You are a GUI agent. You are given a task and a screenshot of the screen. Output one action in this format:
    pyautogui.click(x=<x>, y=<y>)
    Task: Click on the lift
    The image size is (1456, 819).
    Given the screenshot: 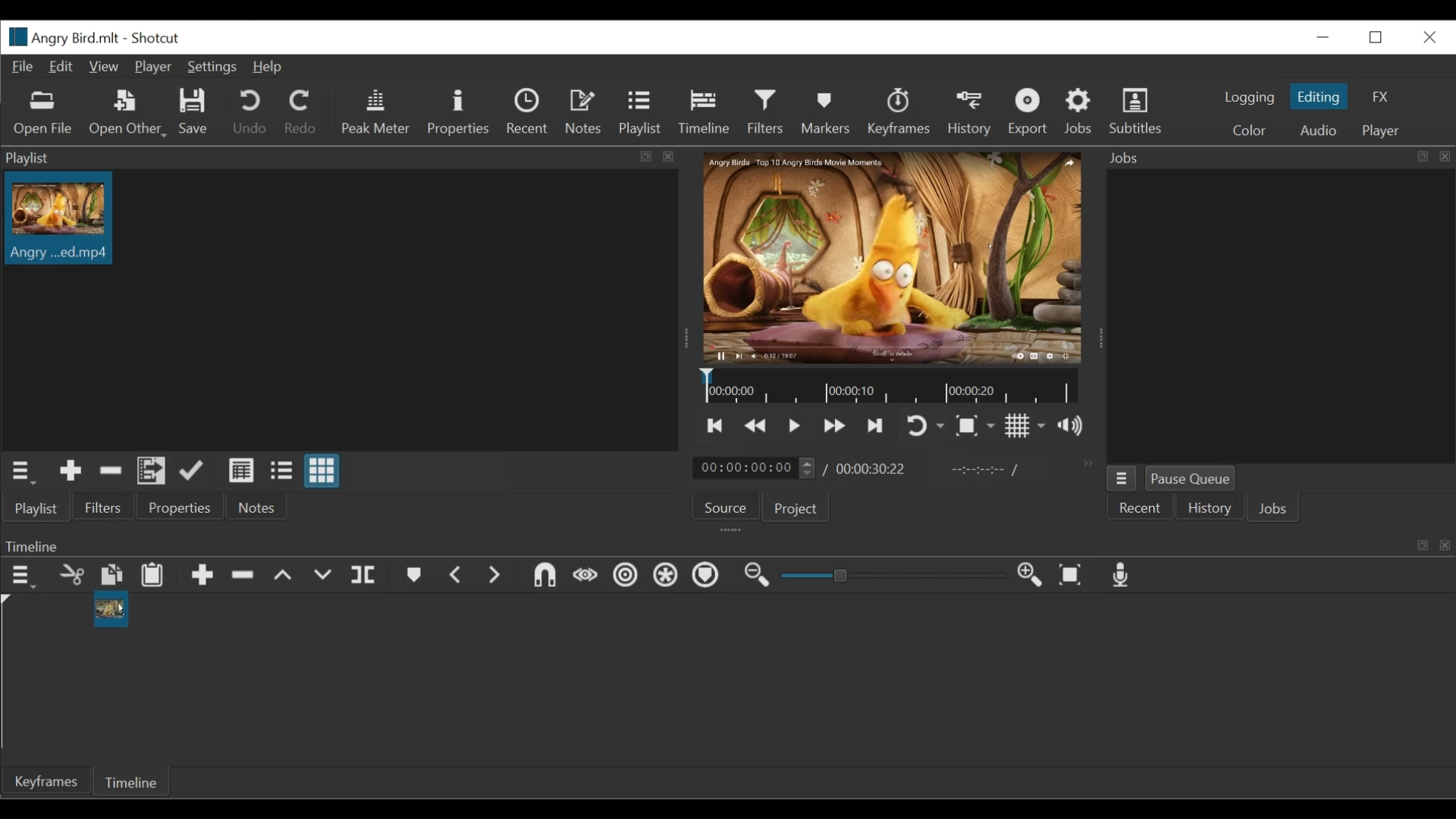 What is the action you would take?
    pyautogui.click(x=283, y=576)
    